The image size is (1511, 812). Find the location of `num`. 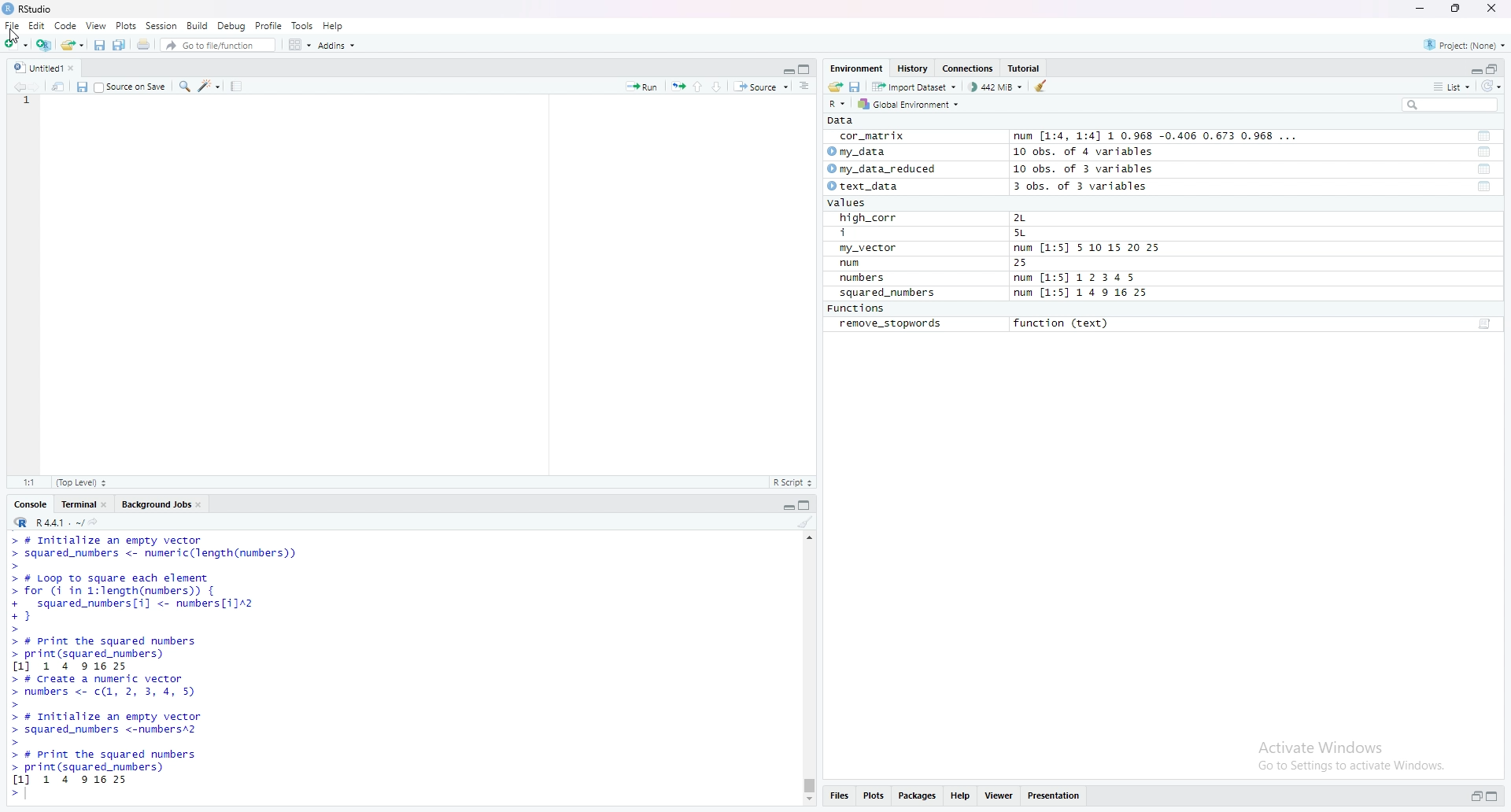

num is located at coordinates (854, 264).